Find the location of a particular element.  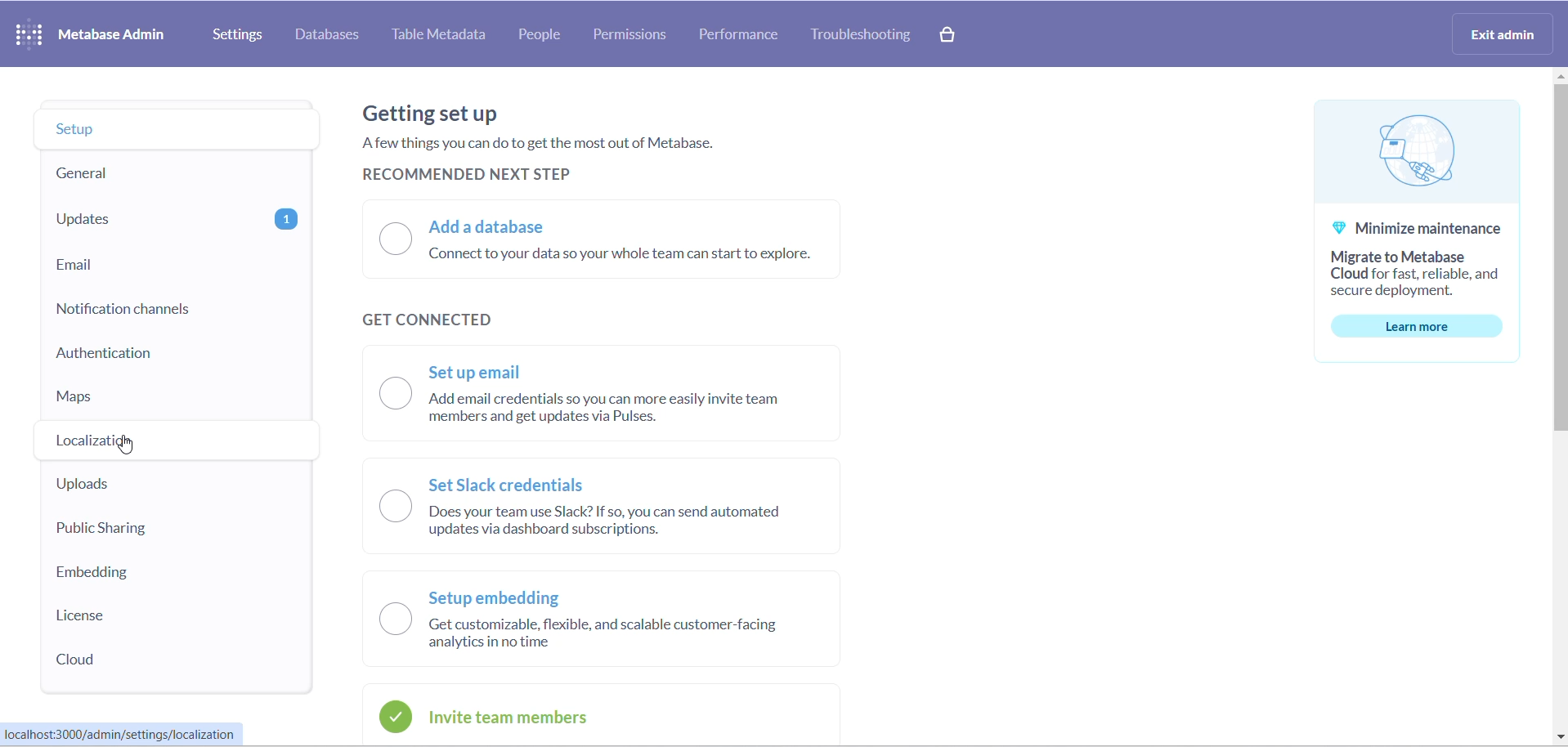

PERFORMANCE is located at coordinates (746, 34).